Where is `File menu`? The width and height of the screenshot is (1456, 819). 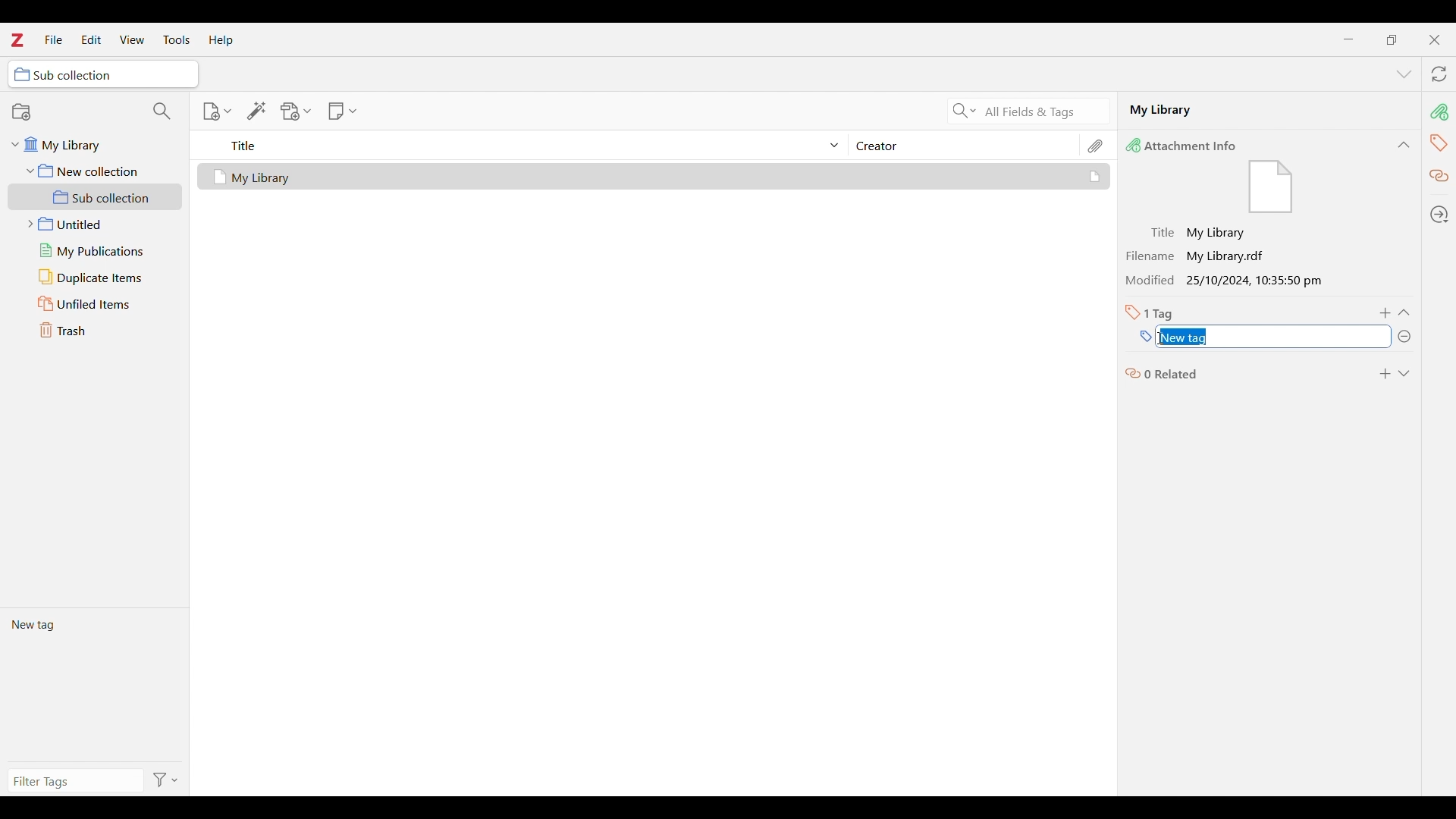
File menu is located at coordinates (53, 39).